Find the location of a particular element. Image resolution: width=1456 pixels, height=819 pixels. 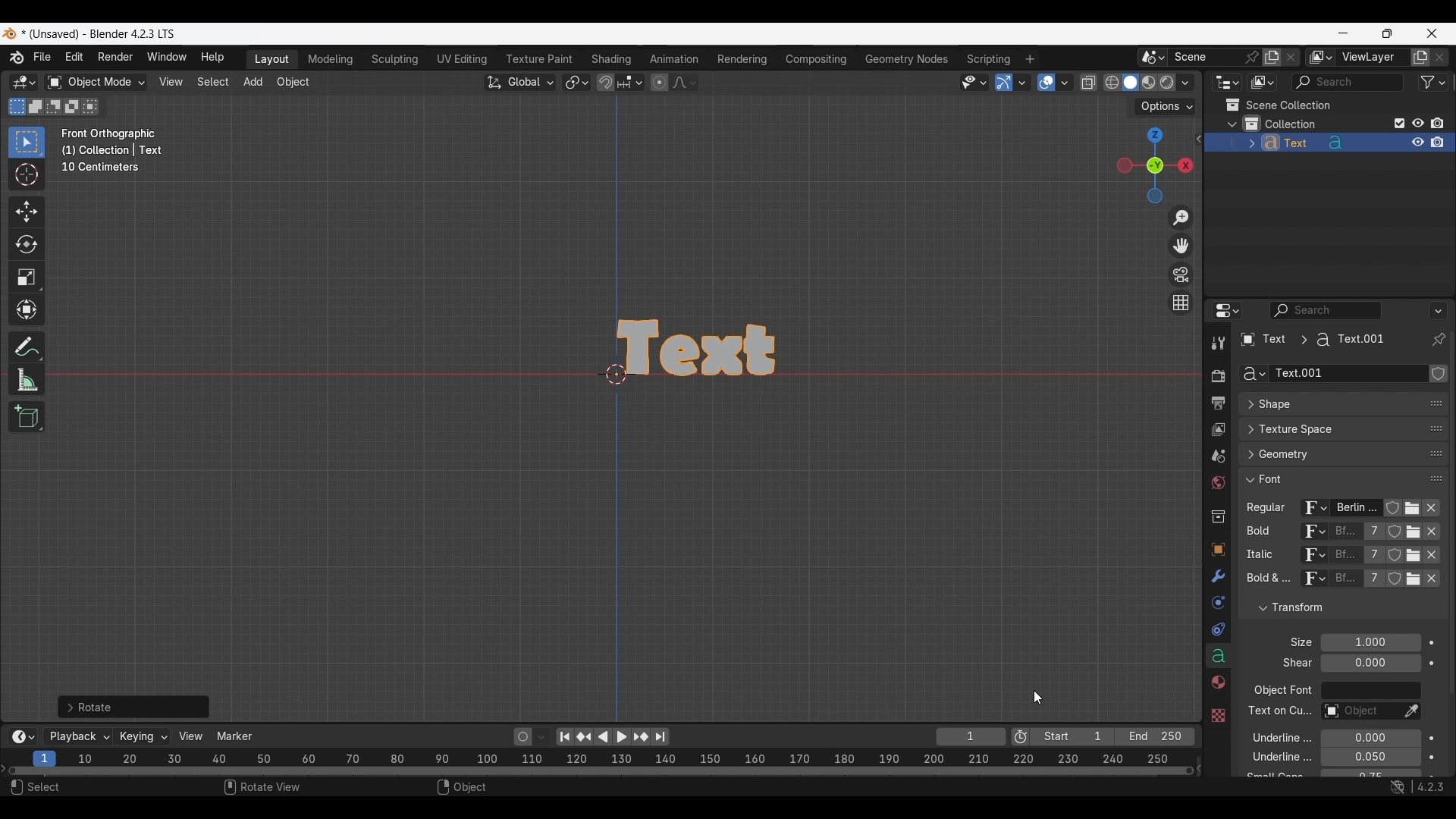

text is located at coordinates (1272, 776).